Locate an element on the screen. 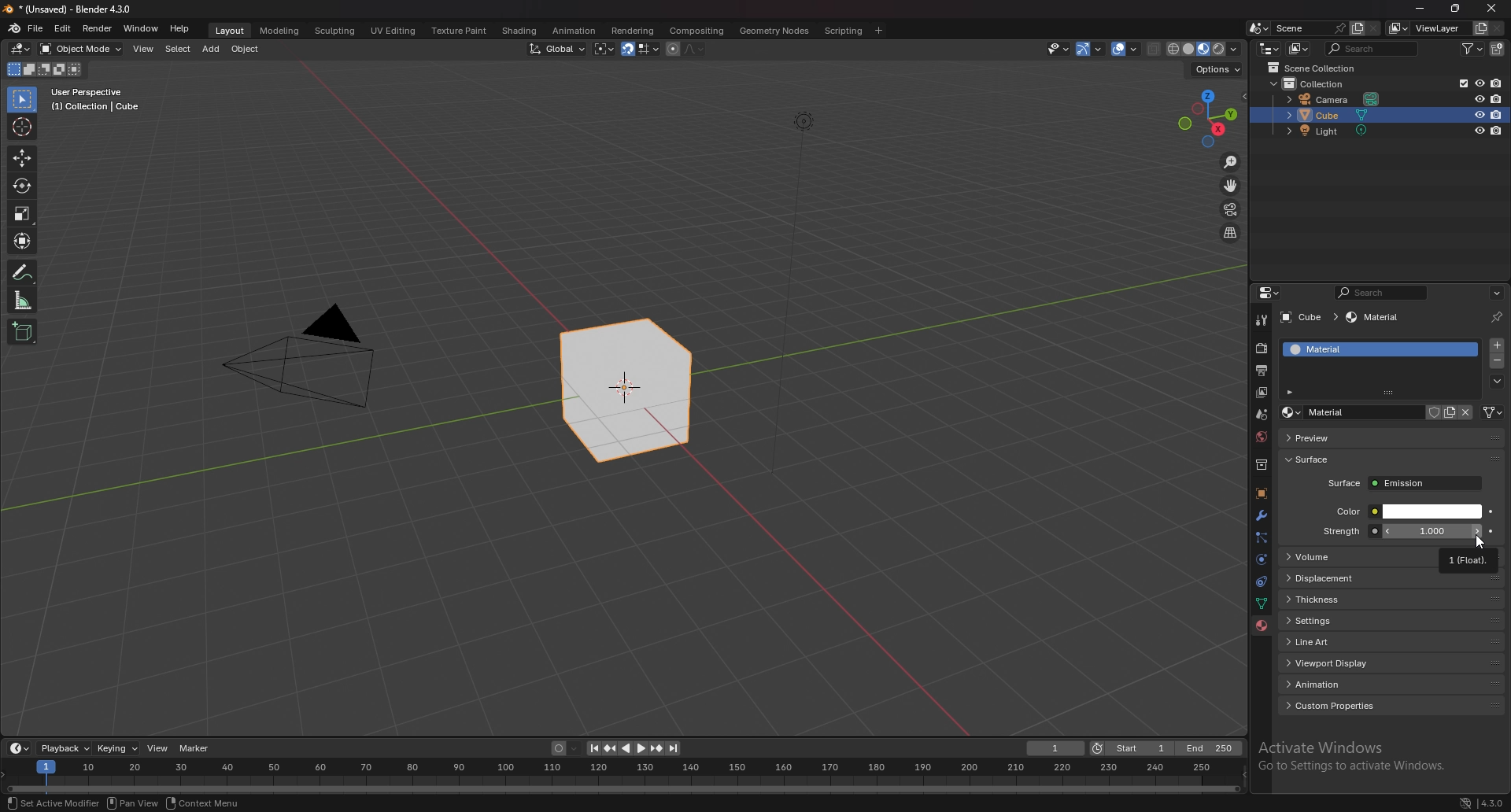 The image size is (1511, 812). mode is located at coordinates (42, 72).